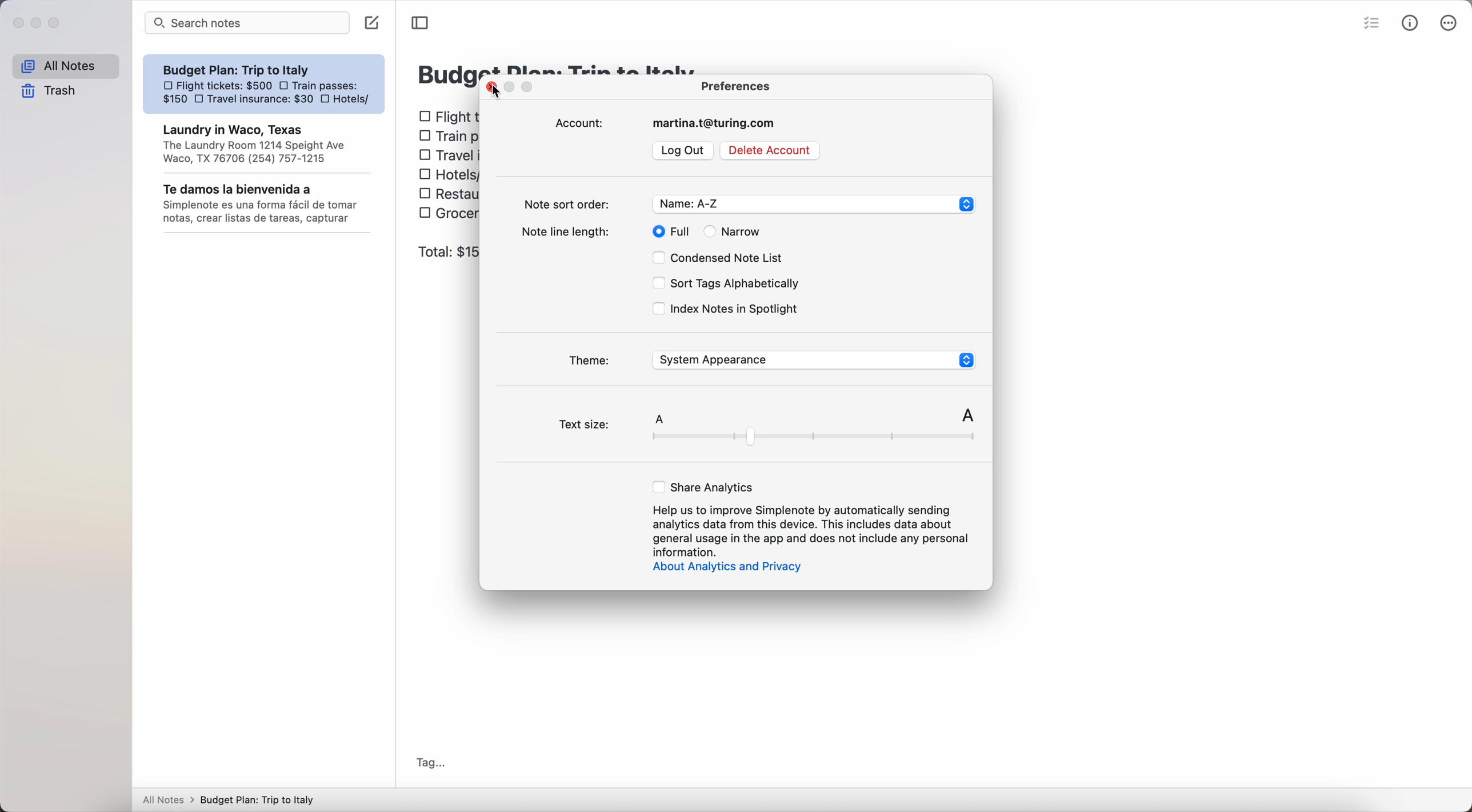  I want to click on minimize Simplenote, so click(38, 23).